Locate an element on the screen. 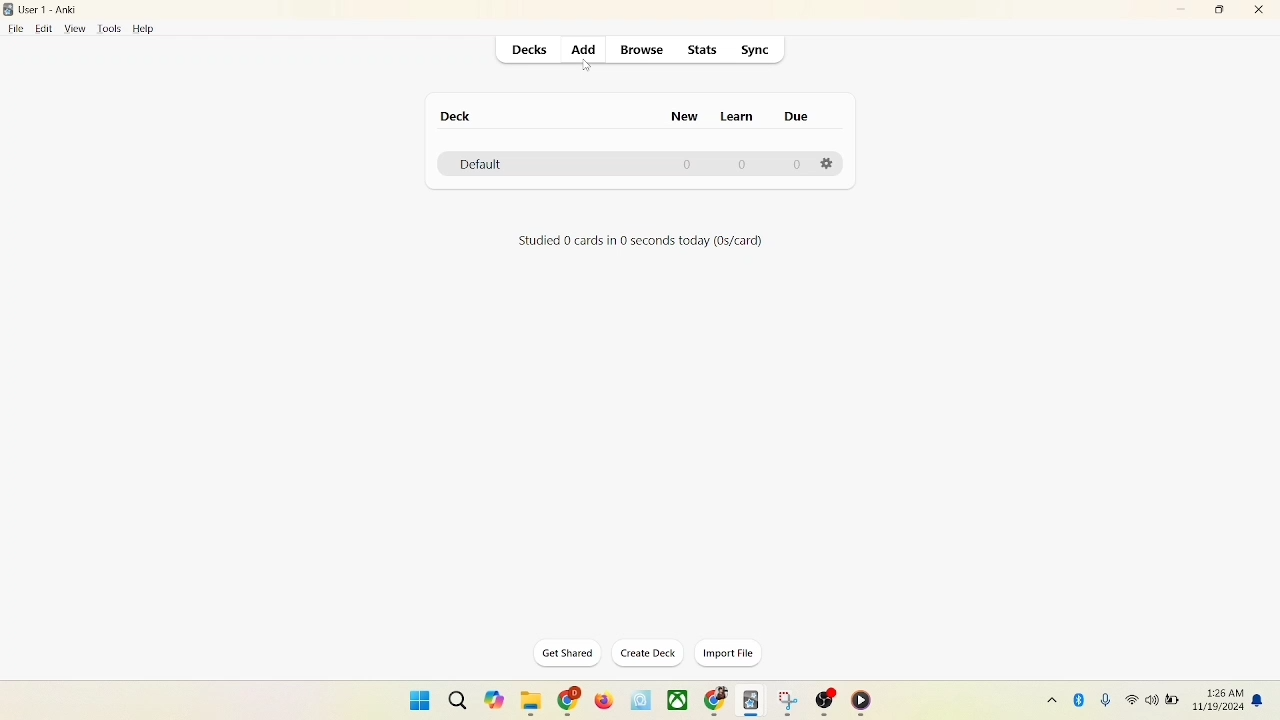 The image size is (1280, 720). speaker is located at coordinates (1151, 699).